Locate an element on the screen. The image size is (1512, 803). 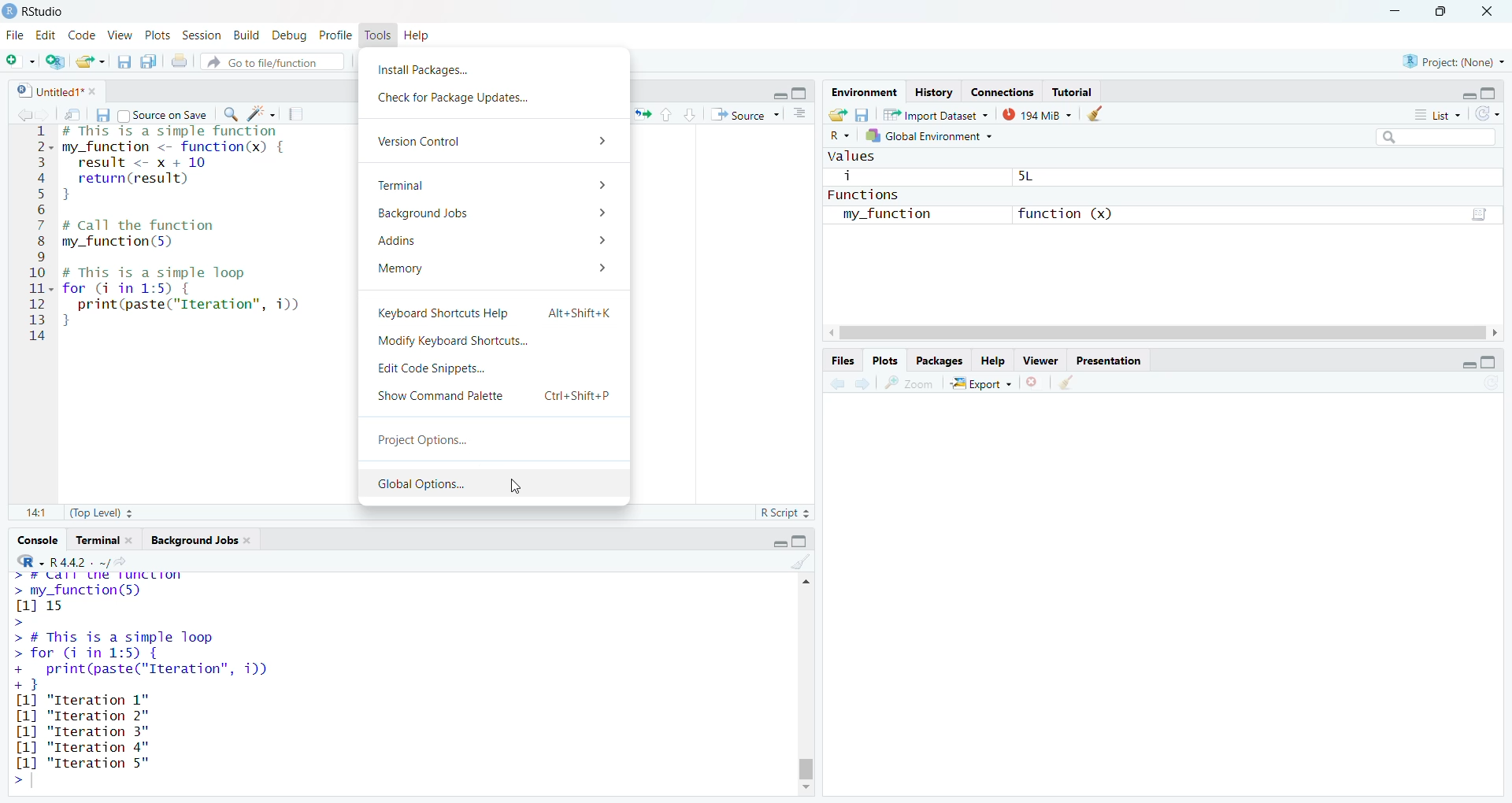
5L is located at coordinates (1036, 178).